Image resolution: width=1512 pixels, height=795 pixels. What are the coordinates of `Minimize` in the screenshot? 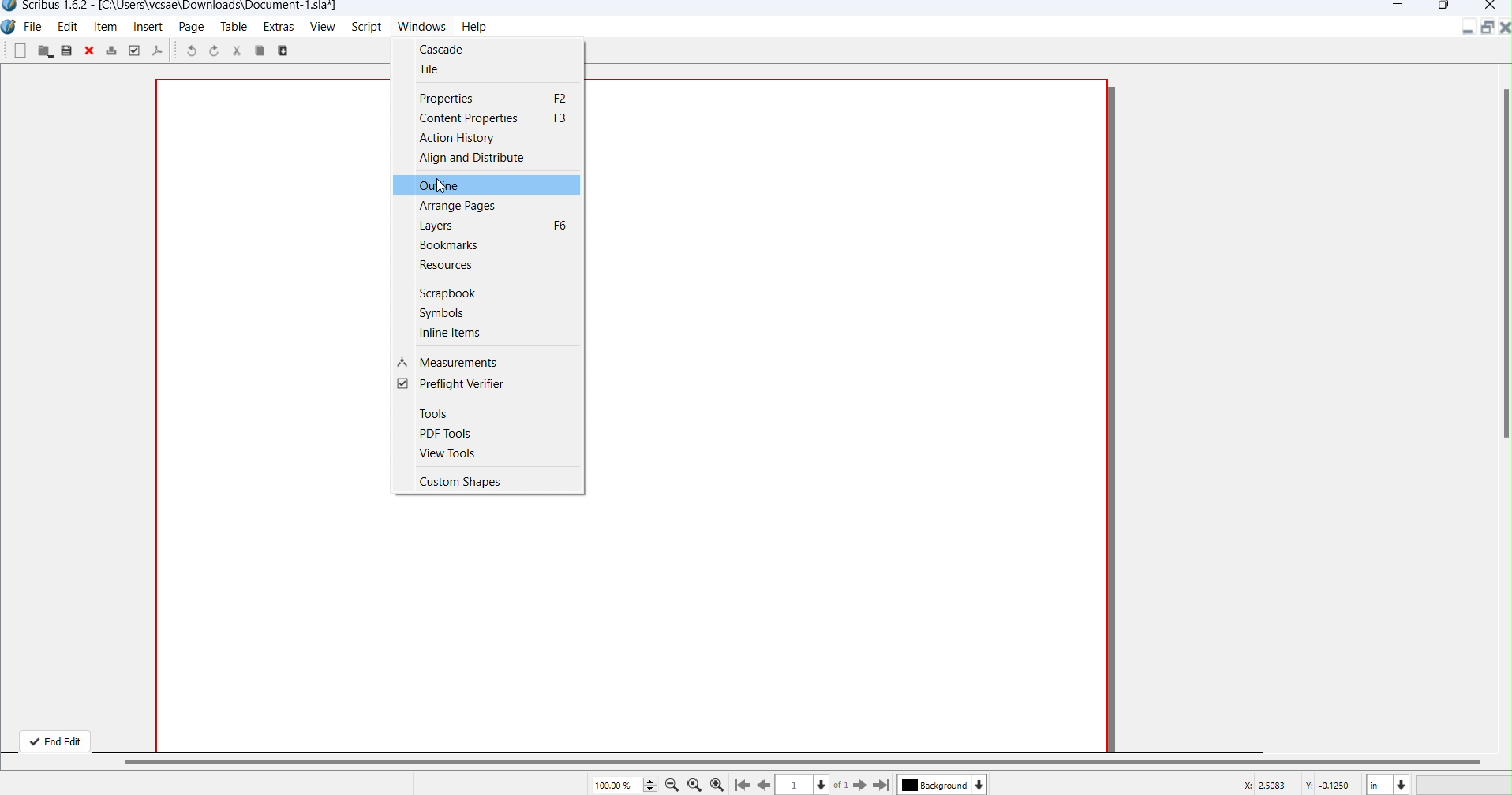 It's located at (1470, 31).